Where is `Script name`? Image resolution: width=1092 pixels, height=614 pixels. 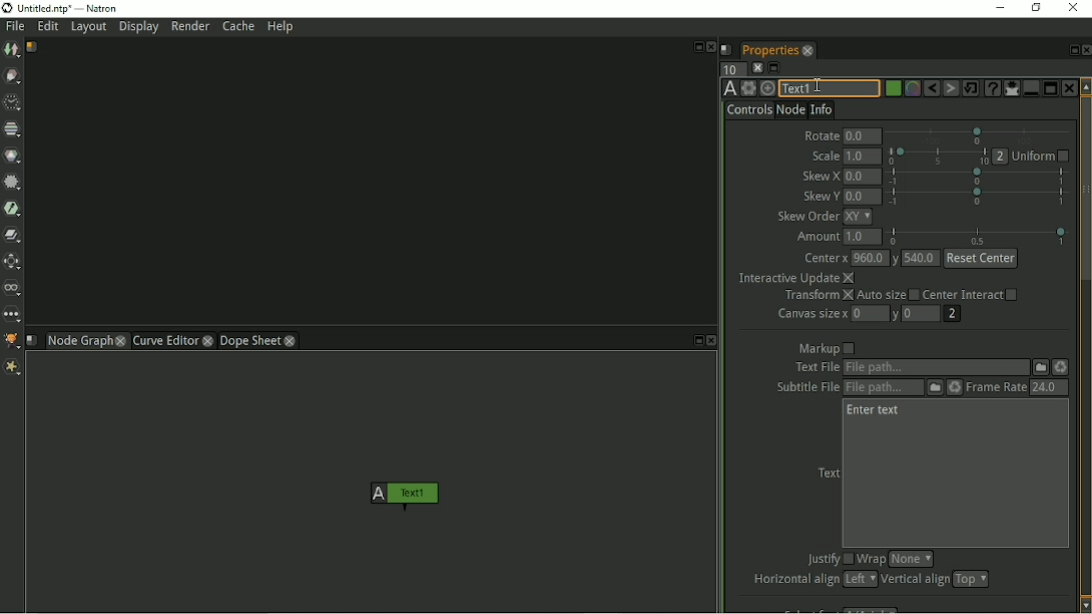 Script name is located at coordinates (32, 340).